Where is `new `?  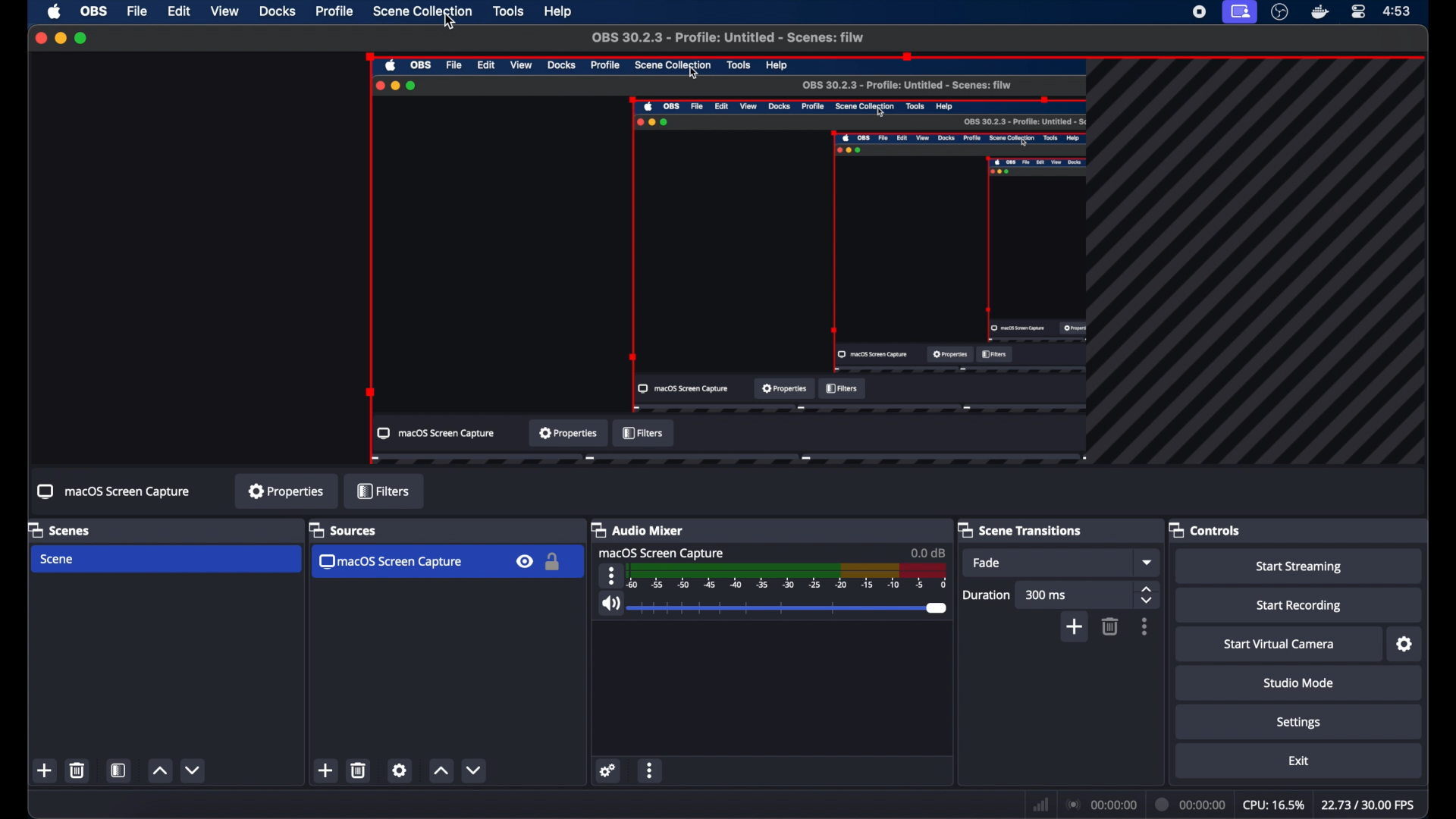
new  is located at coordinates (43, 770).